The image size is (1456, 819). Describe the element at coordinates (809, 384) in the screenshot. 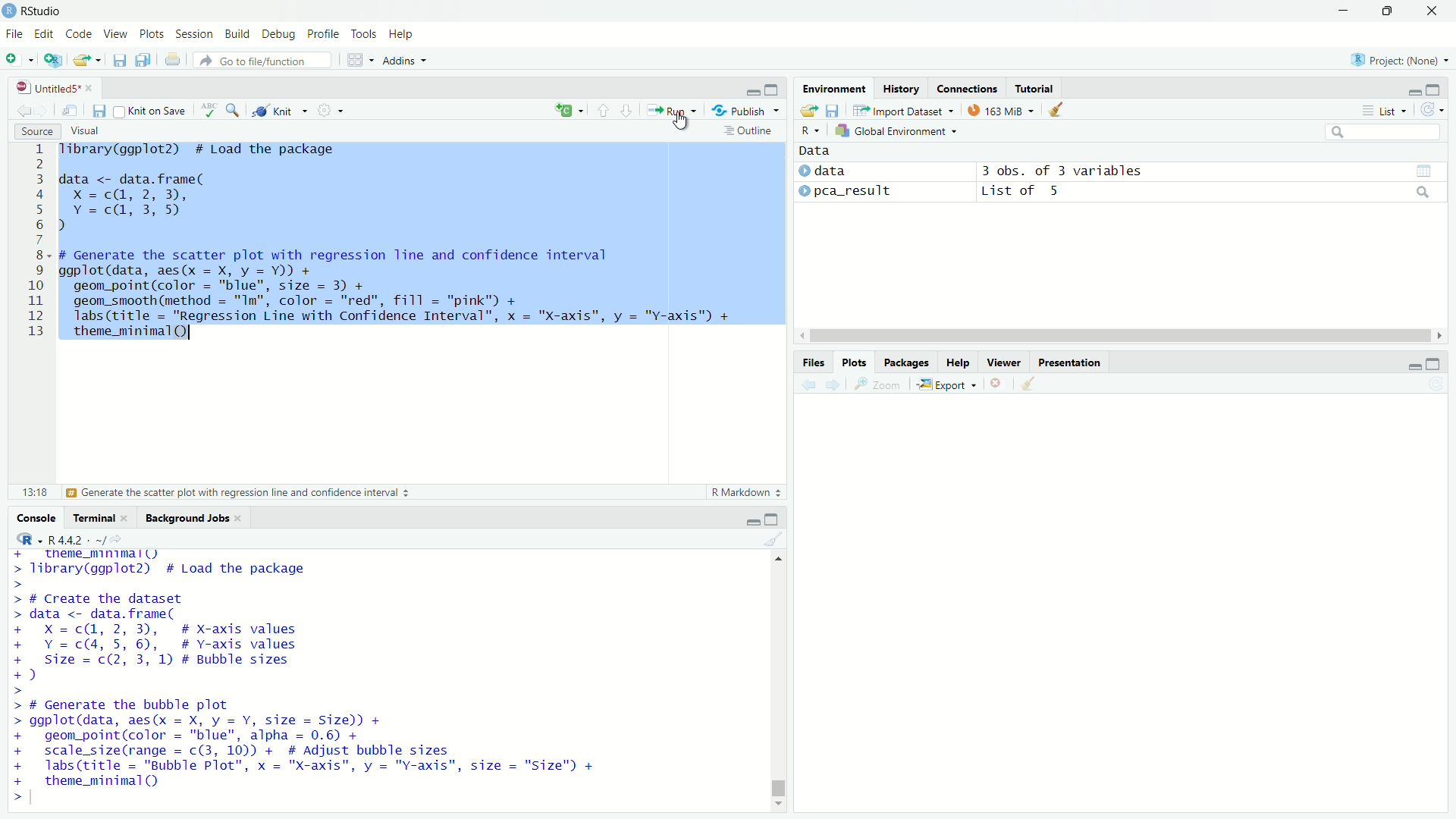

I see `Previous plot` at that location.